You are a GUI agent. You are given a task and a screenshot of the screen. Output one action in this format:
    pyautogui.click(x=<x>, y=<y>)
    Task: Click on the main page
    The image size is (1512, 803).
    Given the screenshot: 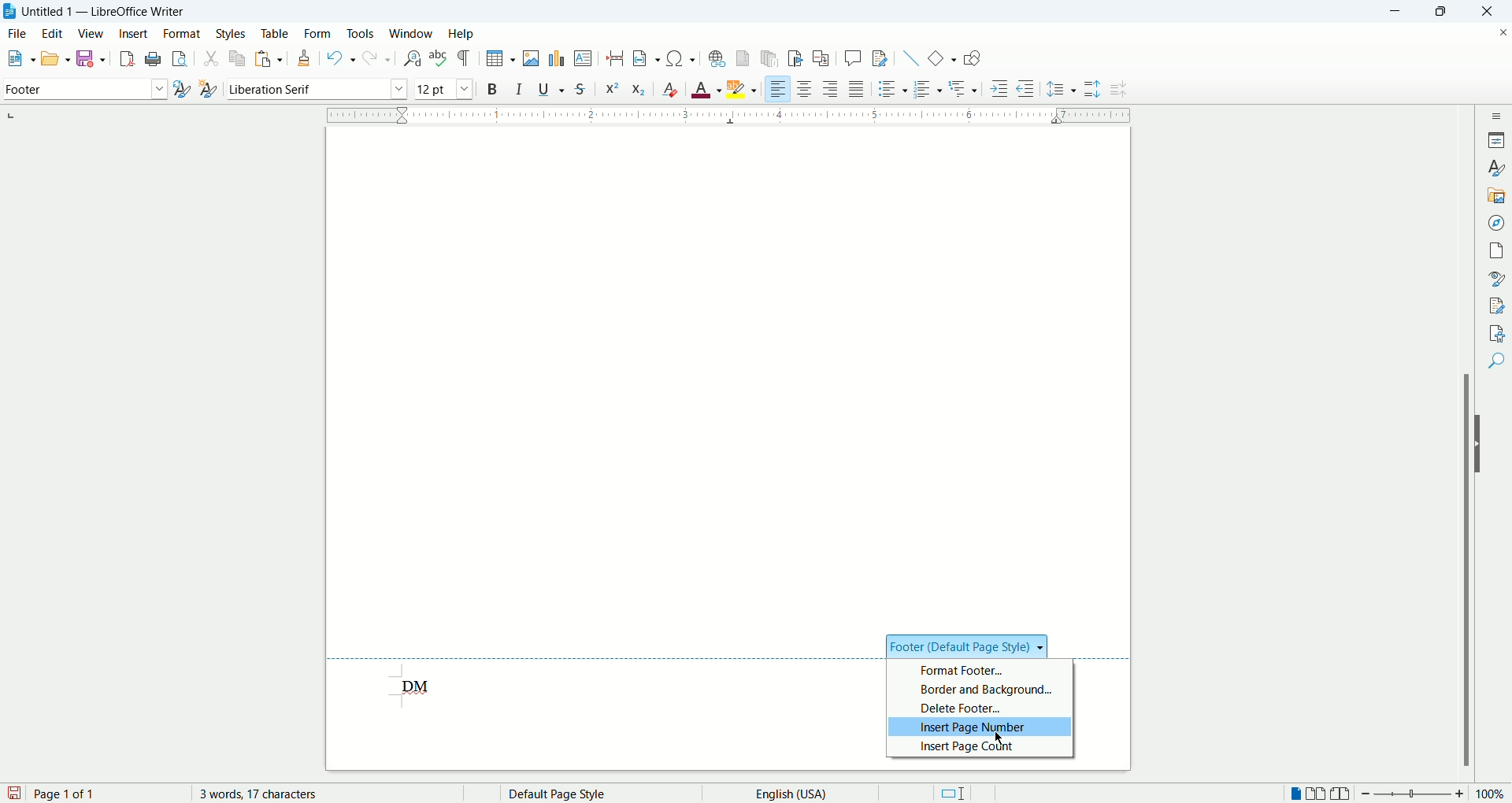 What is the action you would take?
    pyautogui.click(x=730, y=372)
    